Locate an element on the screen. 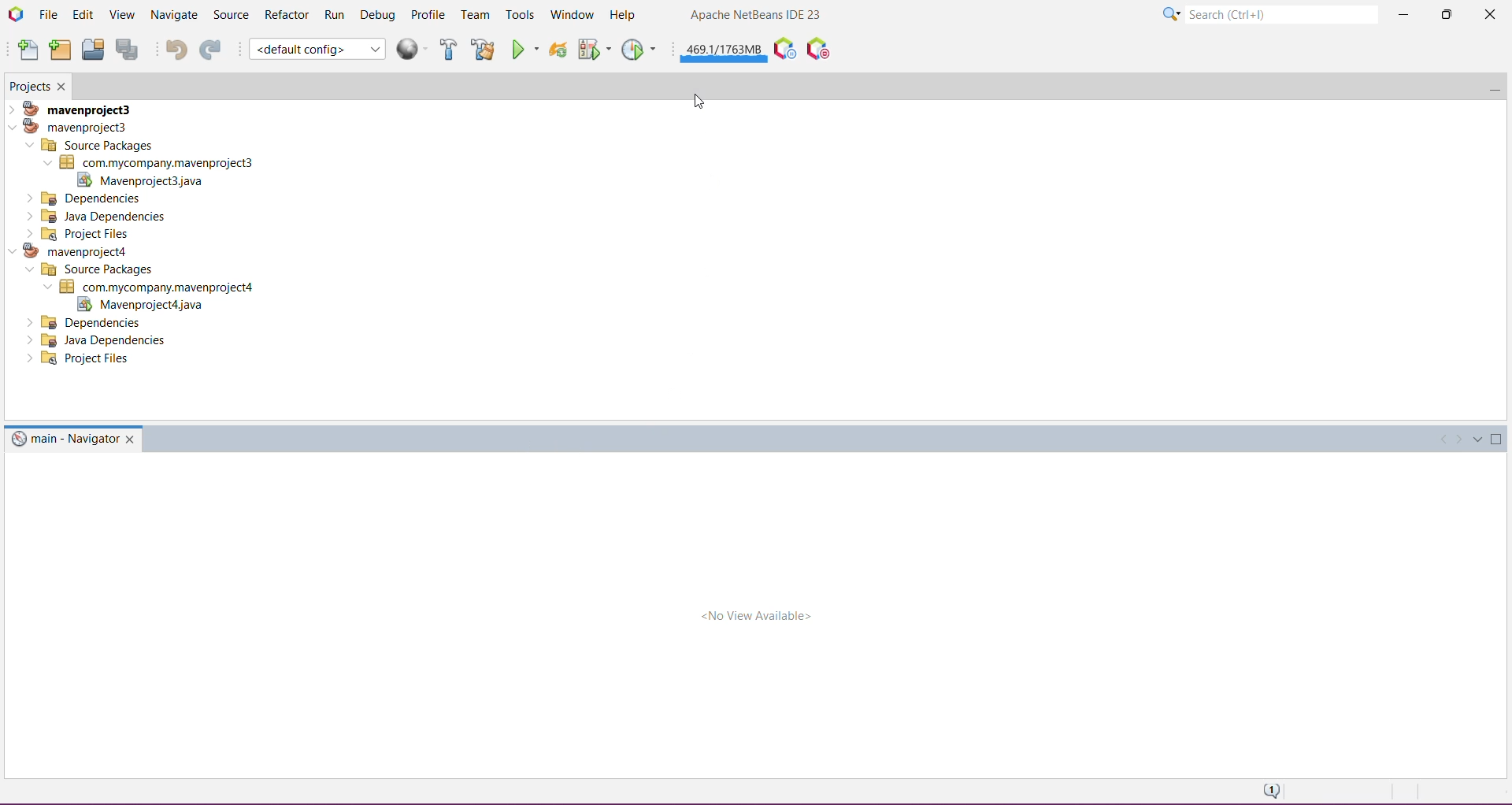 The height and width of the screenshot is (805, 1512). mavenproject4 is located at coordinates (76, 250).